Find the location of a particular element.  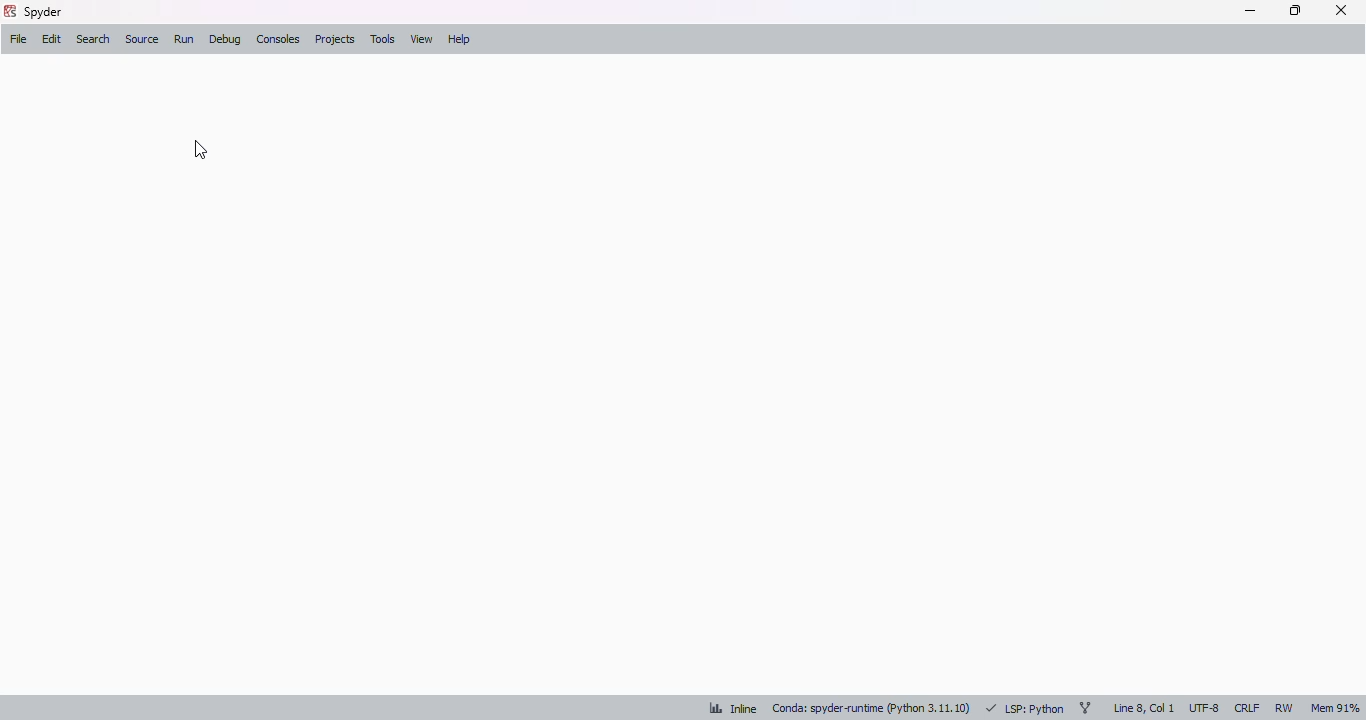

edit is located at coordinates (52, 40).